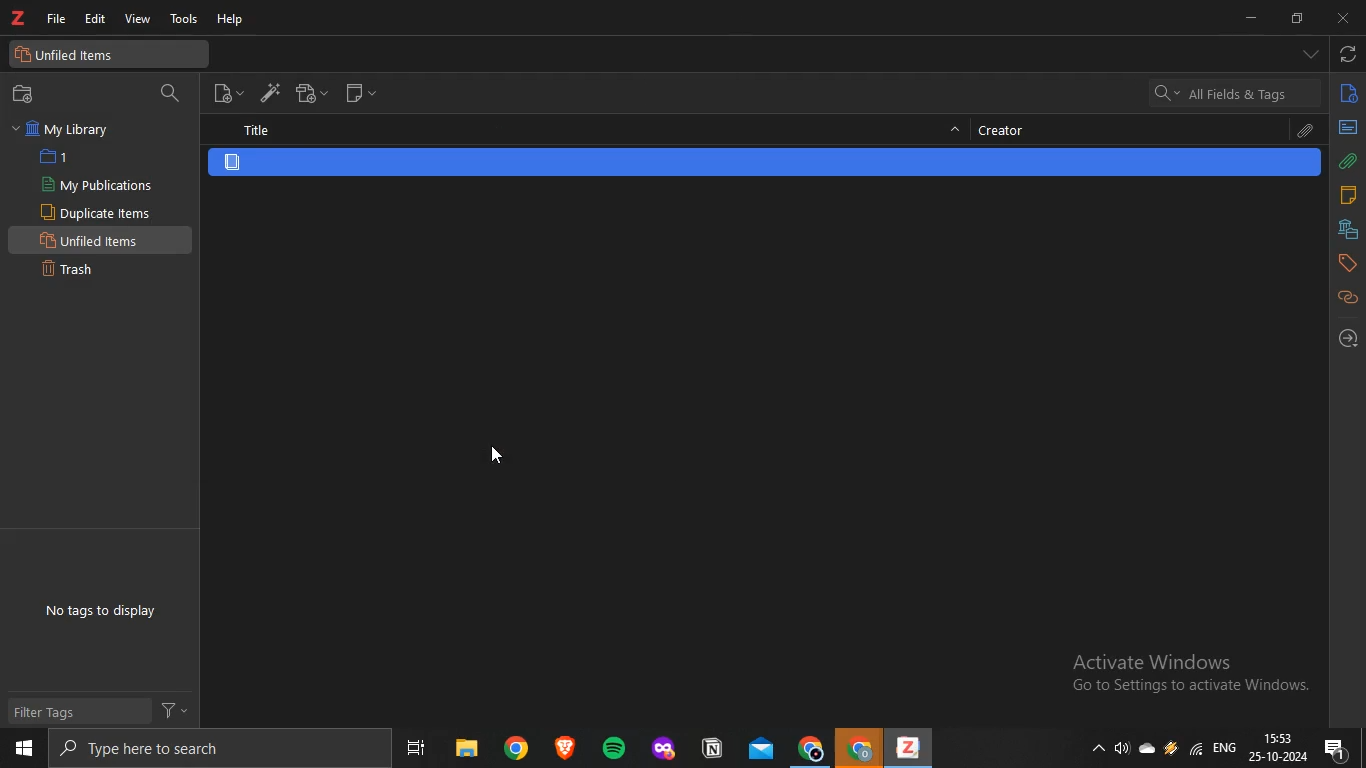 This screenshot has height=768, width=1366. I want to click on new note, so click(361, 92).